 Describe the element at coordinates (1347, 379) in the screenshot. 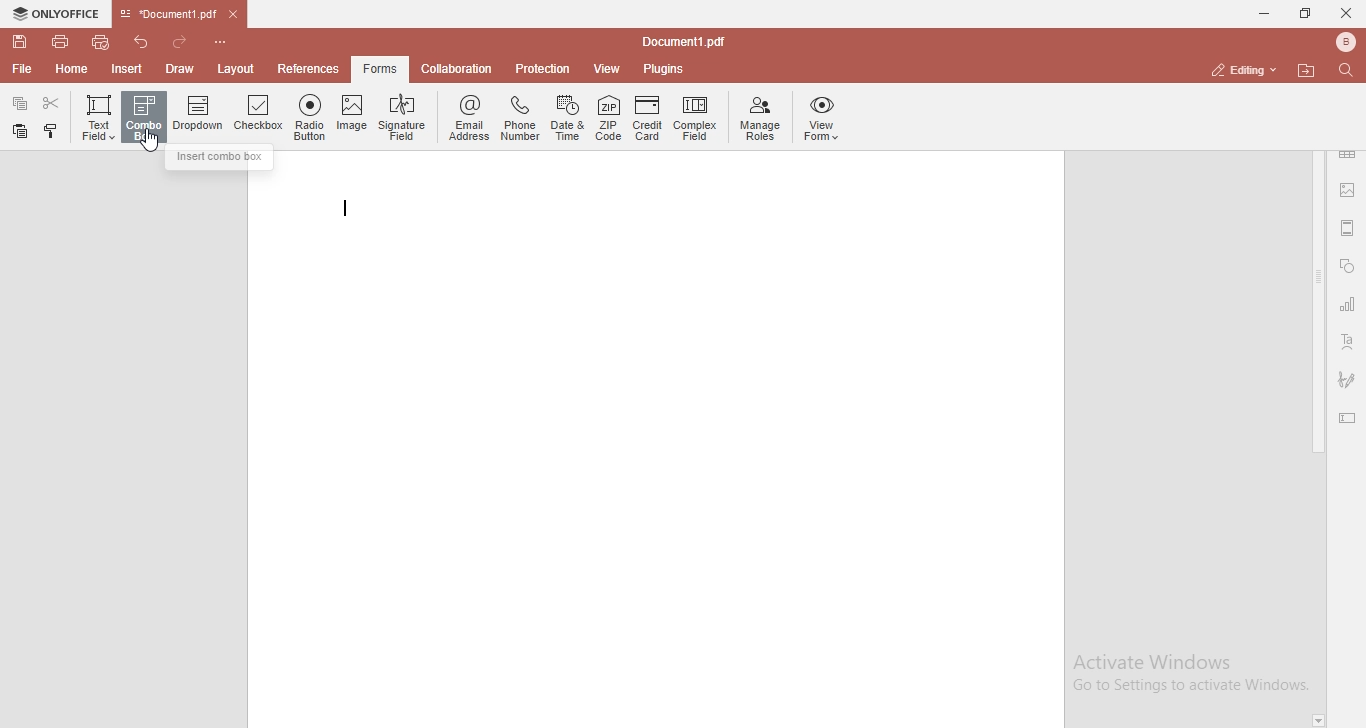

I see `signature` at that location.